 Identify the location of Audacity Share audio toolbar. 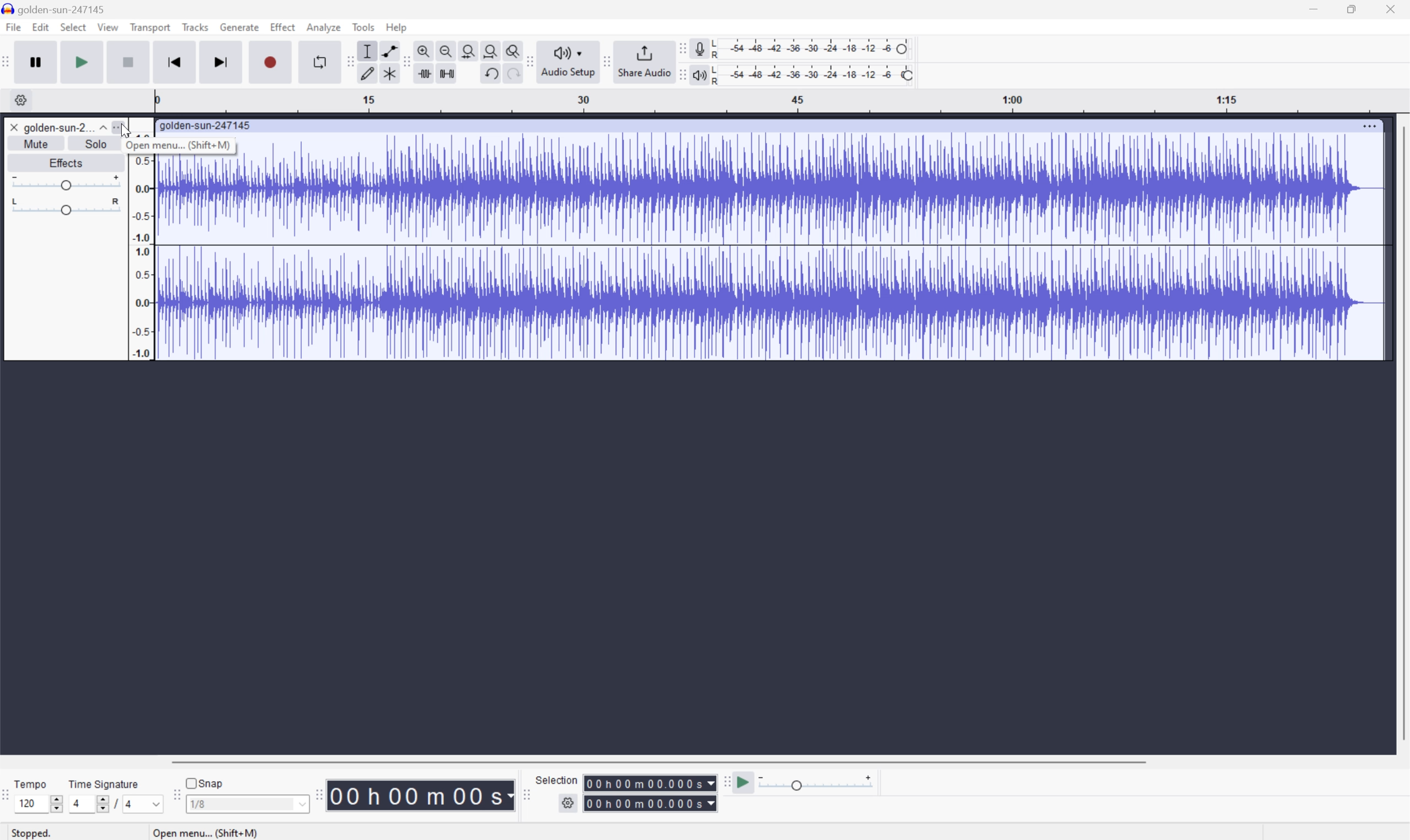
(604, 59).